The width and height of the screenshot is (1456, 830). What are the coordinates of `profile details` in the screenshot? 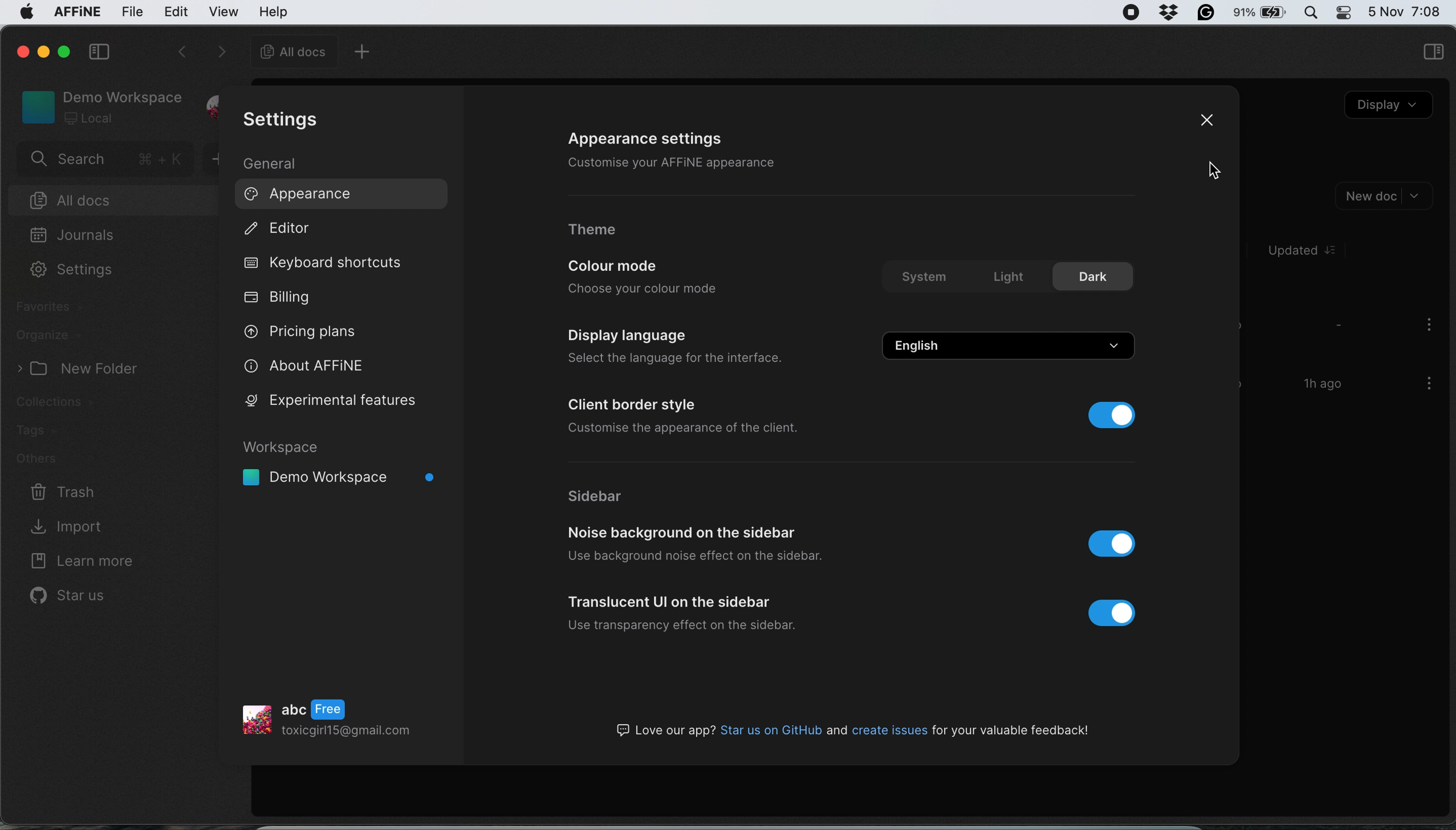 It's located at (343, 717).